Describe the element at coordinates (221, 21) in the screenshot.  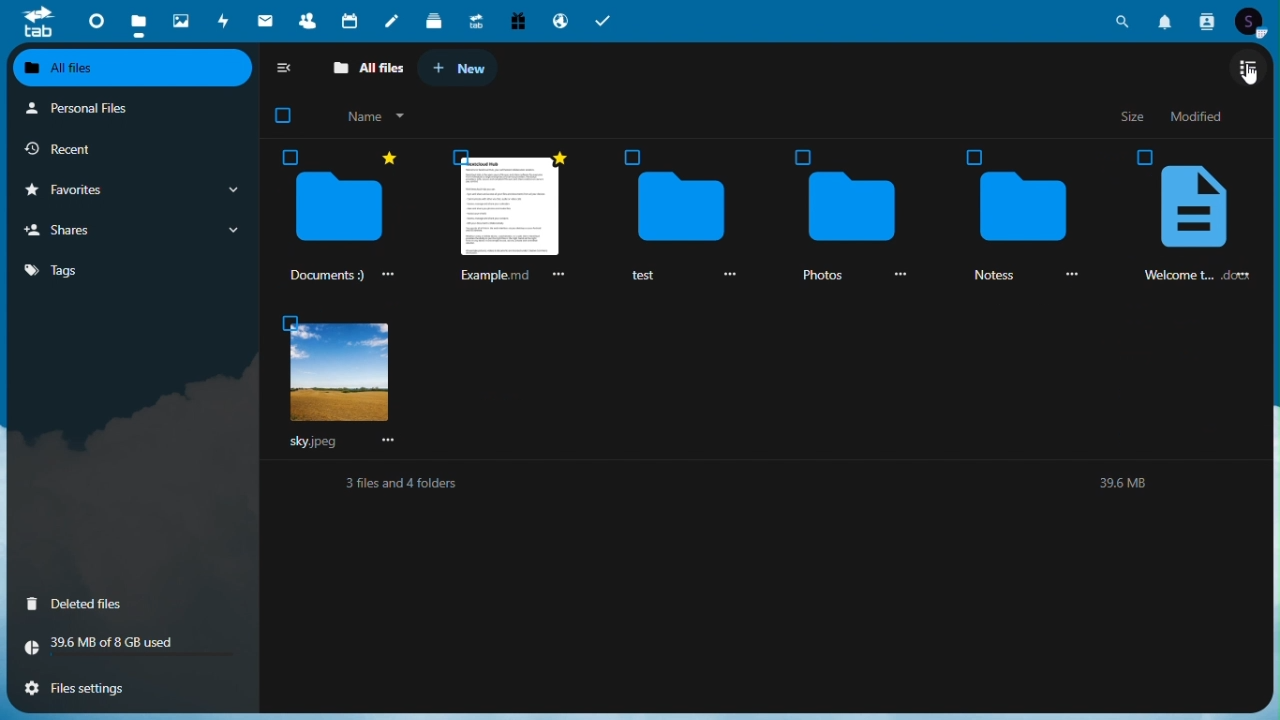
I see `activity` at that location.